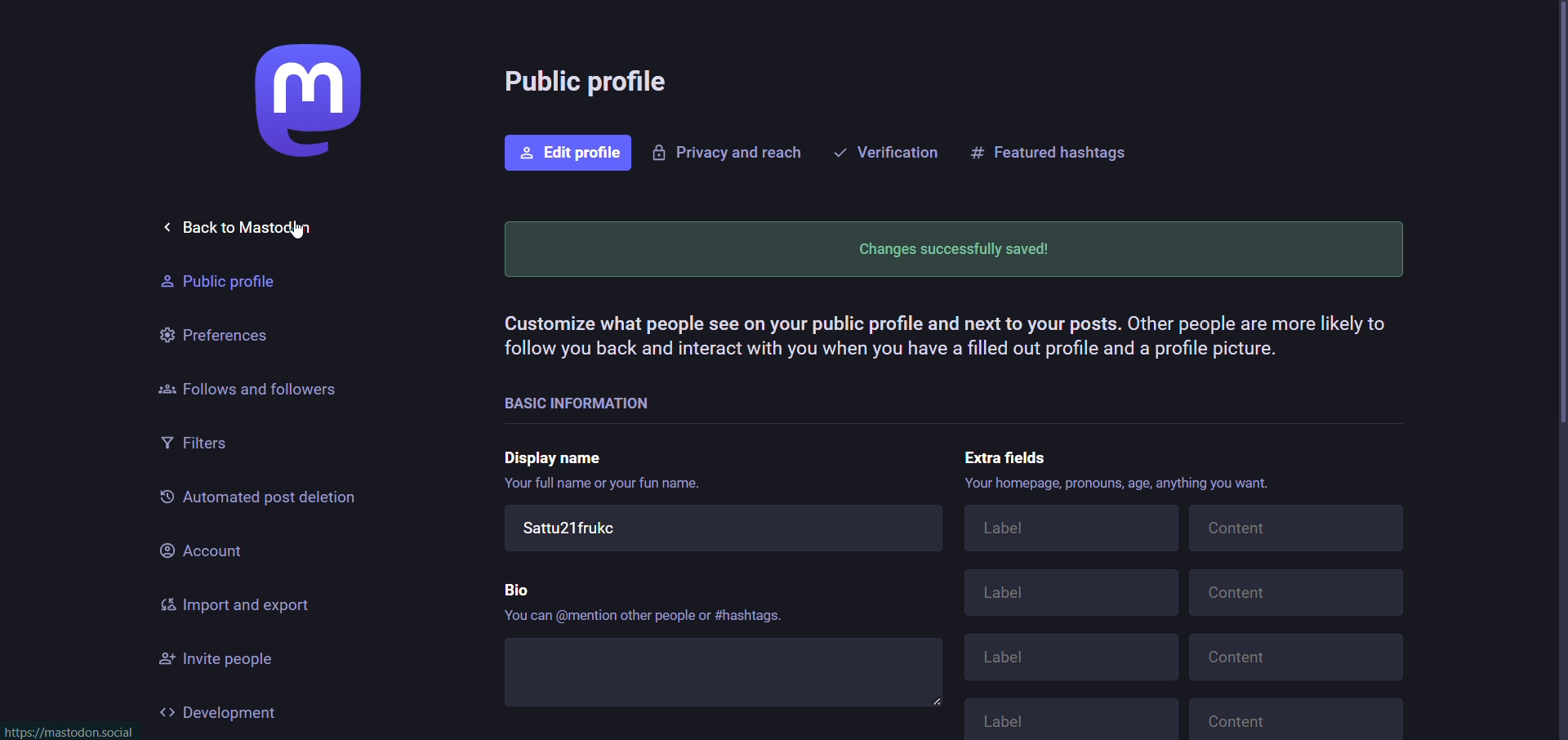  I want to click on Public profile, so click(215, 283).